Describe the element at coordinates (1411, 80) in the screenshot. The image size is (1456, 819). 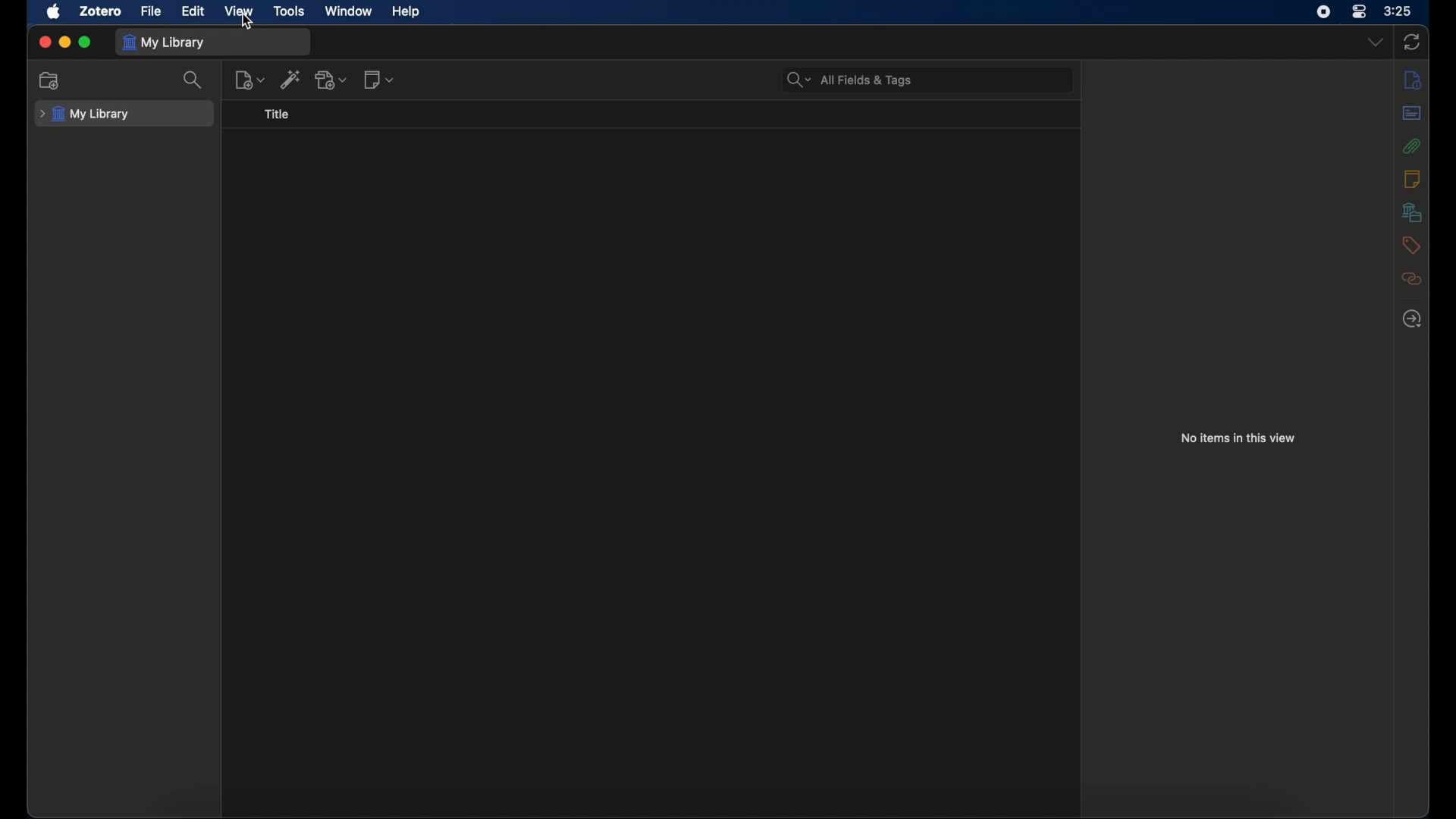
I see `info` at that location.